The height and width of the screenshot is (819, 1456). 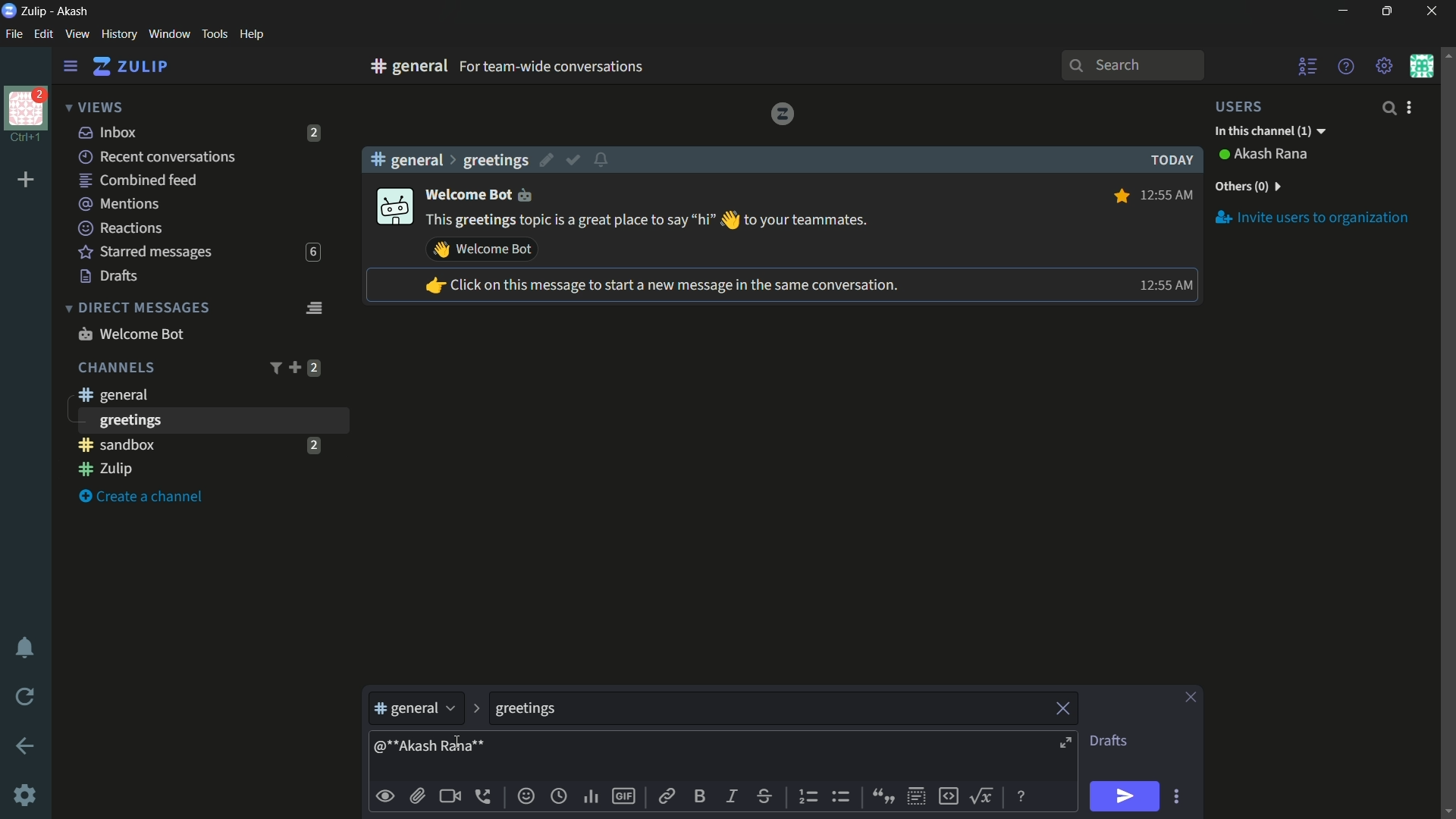 What do you see at coordinates (1385, 66) in the screenshot?
I see `main menu` at bounding box center [1385, 66].